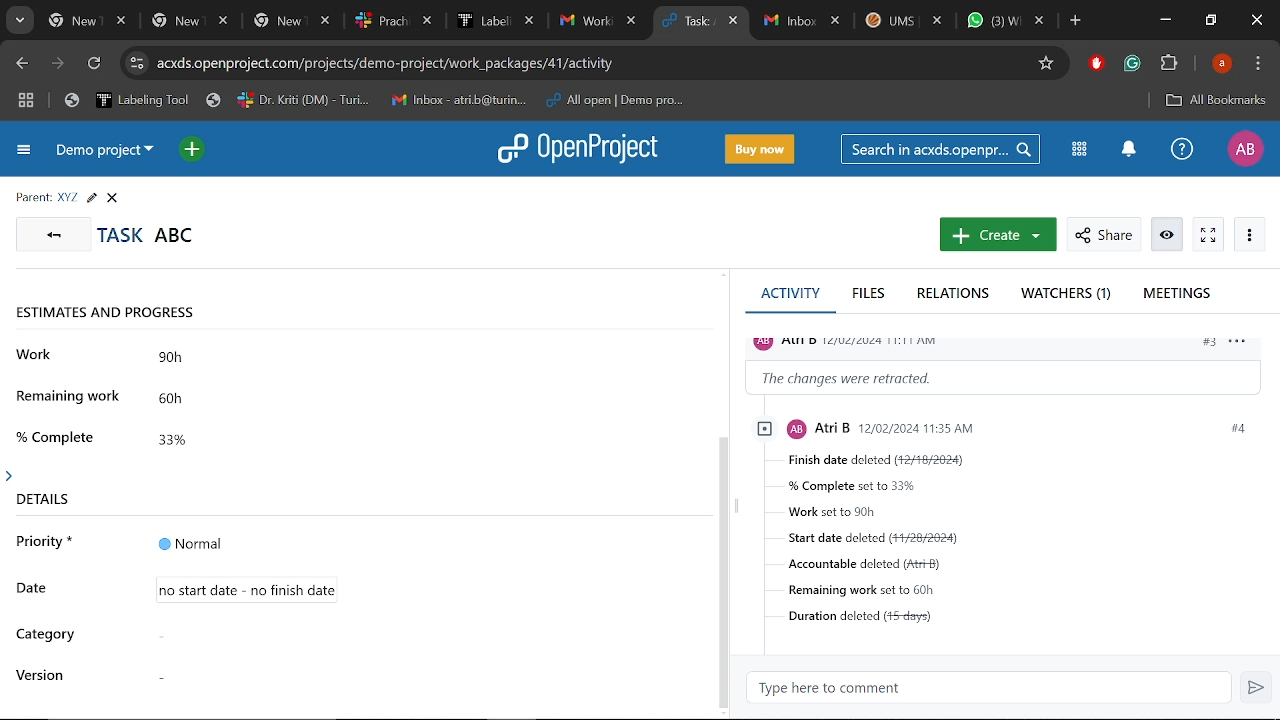 This screenshot has width=1280, height=720. I want to click on 60h, so click(199, 400).